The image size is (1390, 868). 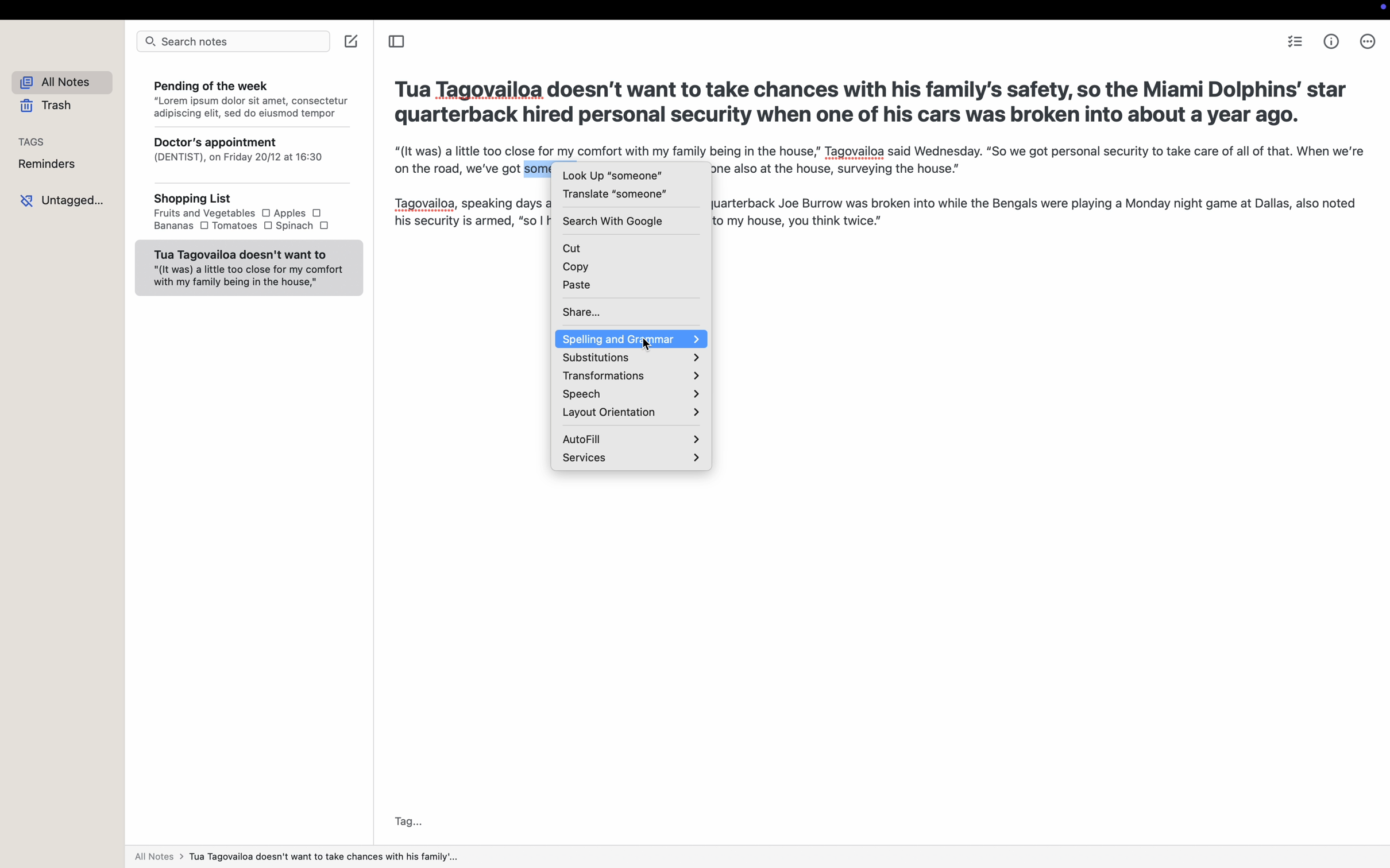 What do you see at coordinates (352, 42) in the screenshot?
I see `create note` at bounding box center [352, 42].